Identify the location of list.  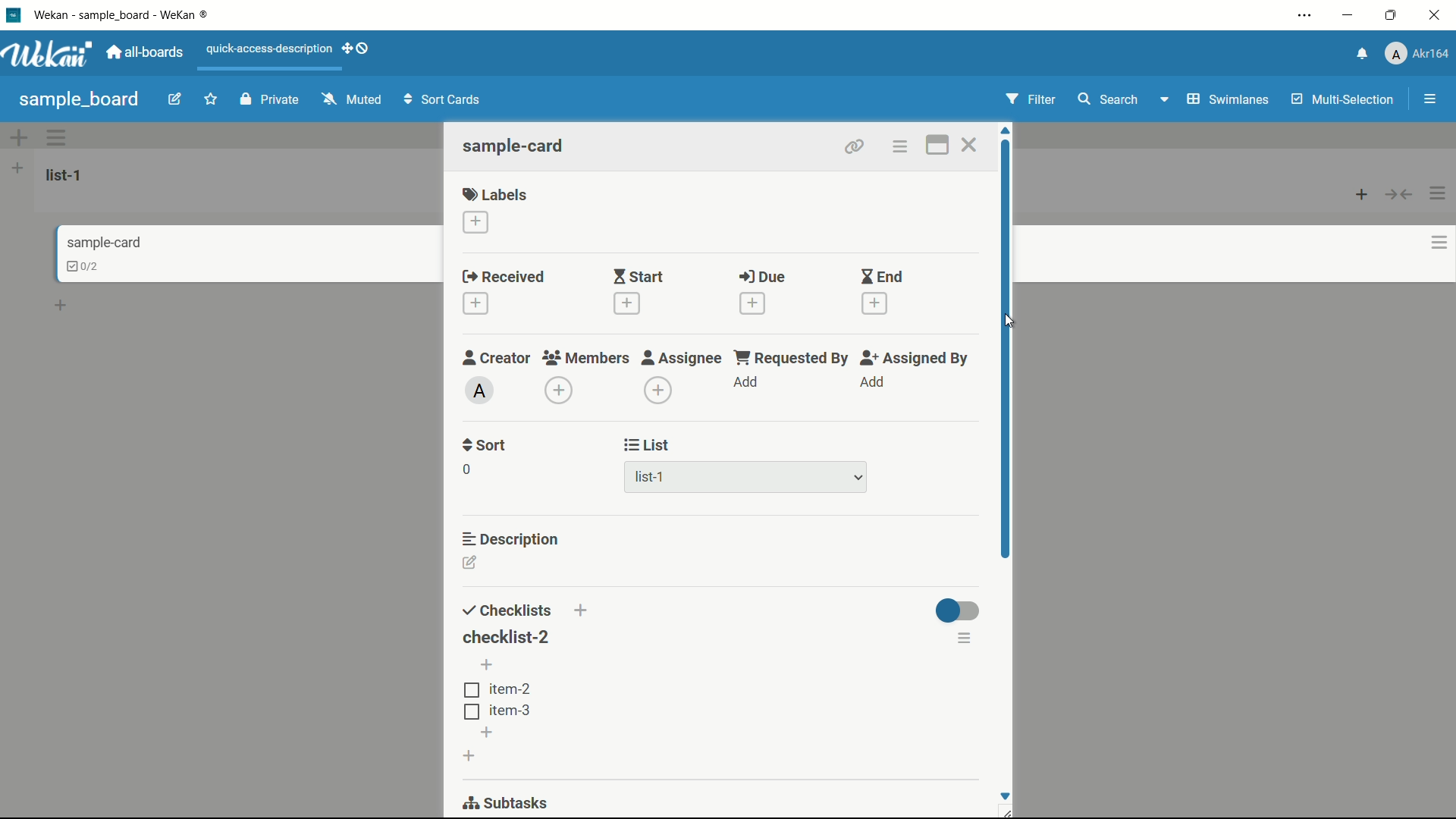
(645, 444).